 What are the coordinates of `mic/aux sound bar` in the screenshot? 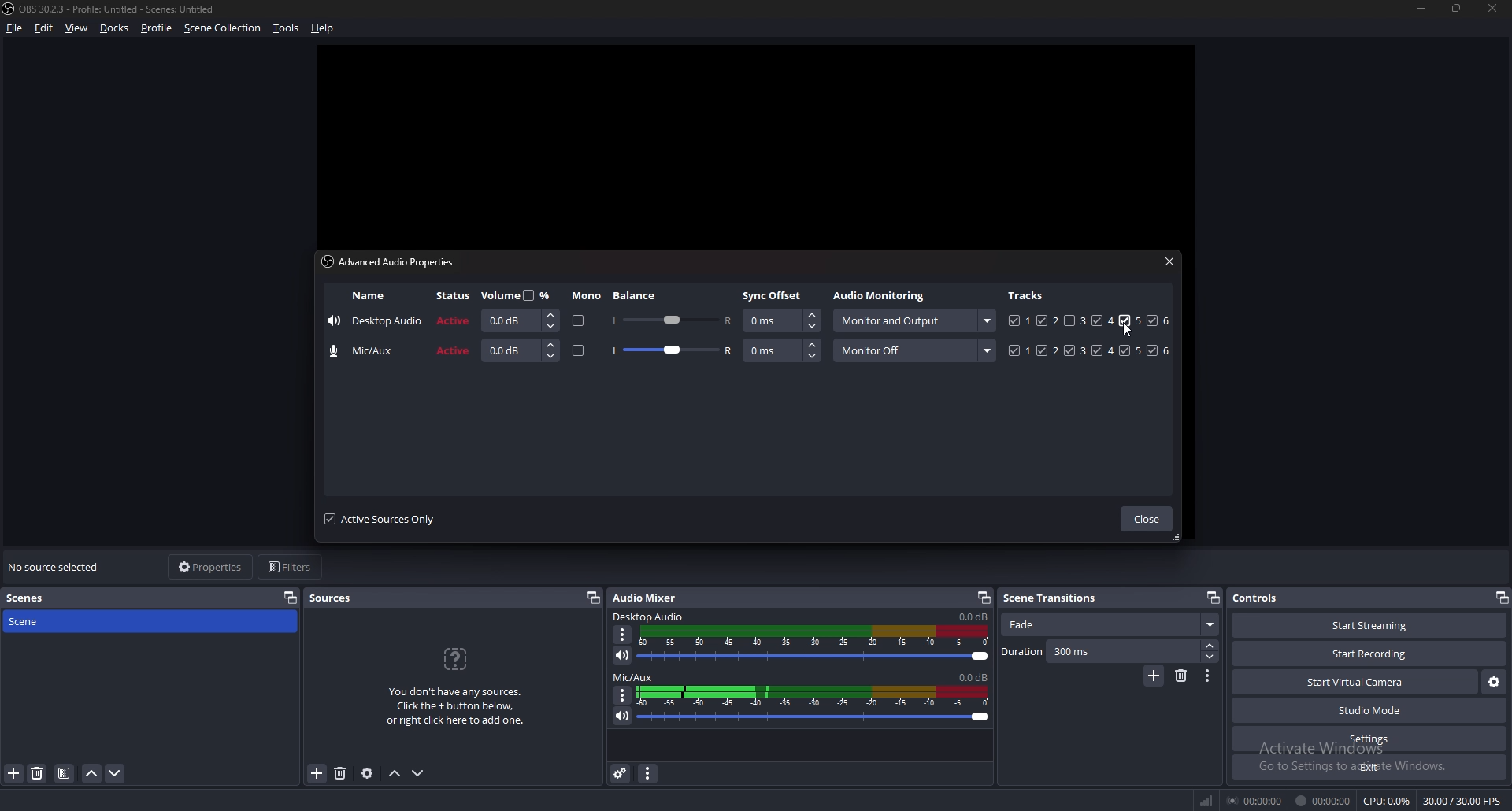 It's located at (813, 703).